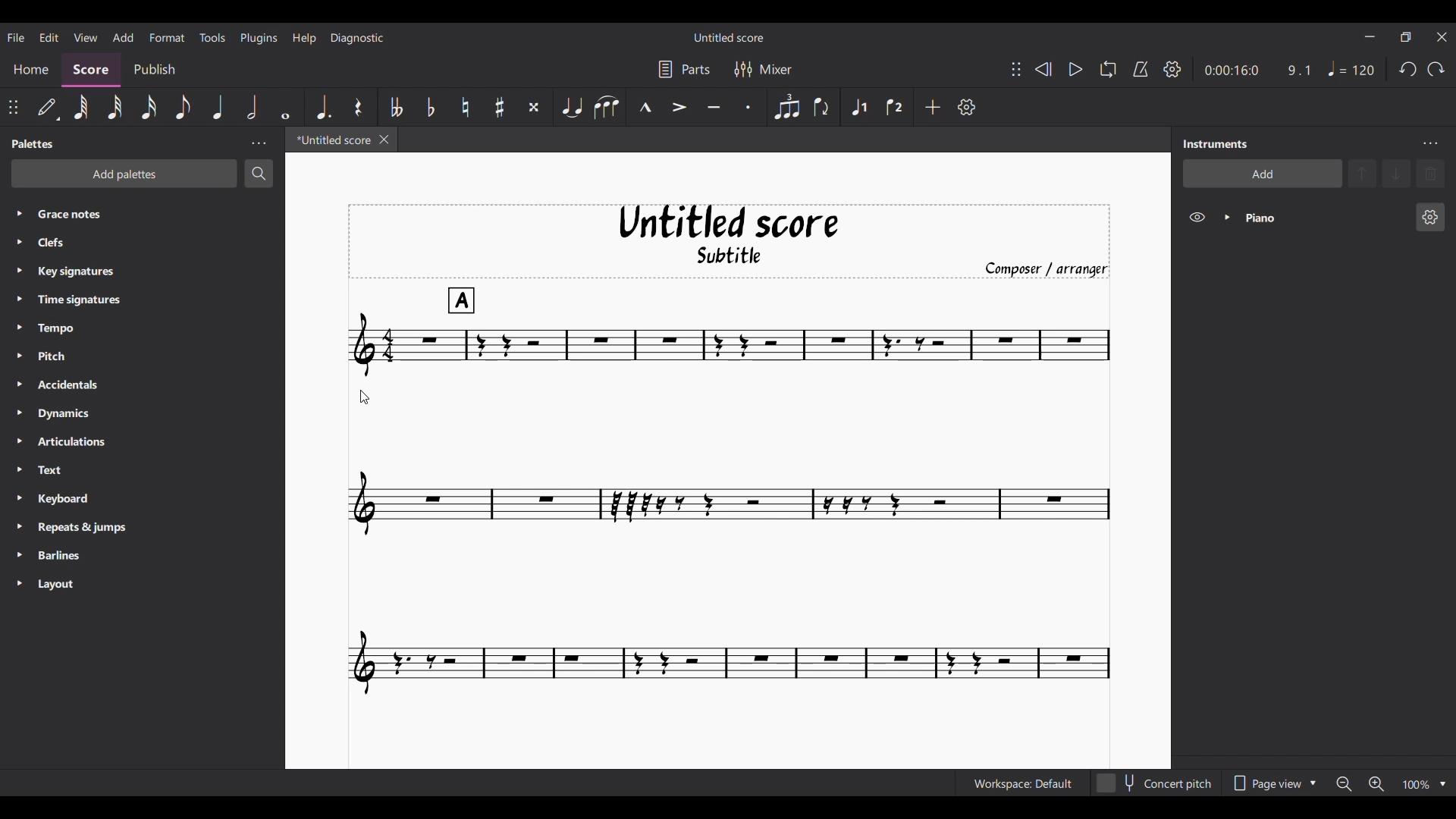  Describe the element at coordinates (1376, 784) in the screenshot. I see `Zoom in` at that location.